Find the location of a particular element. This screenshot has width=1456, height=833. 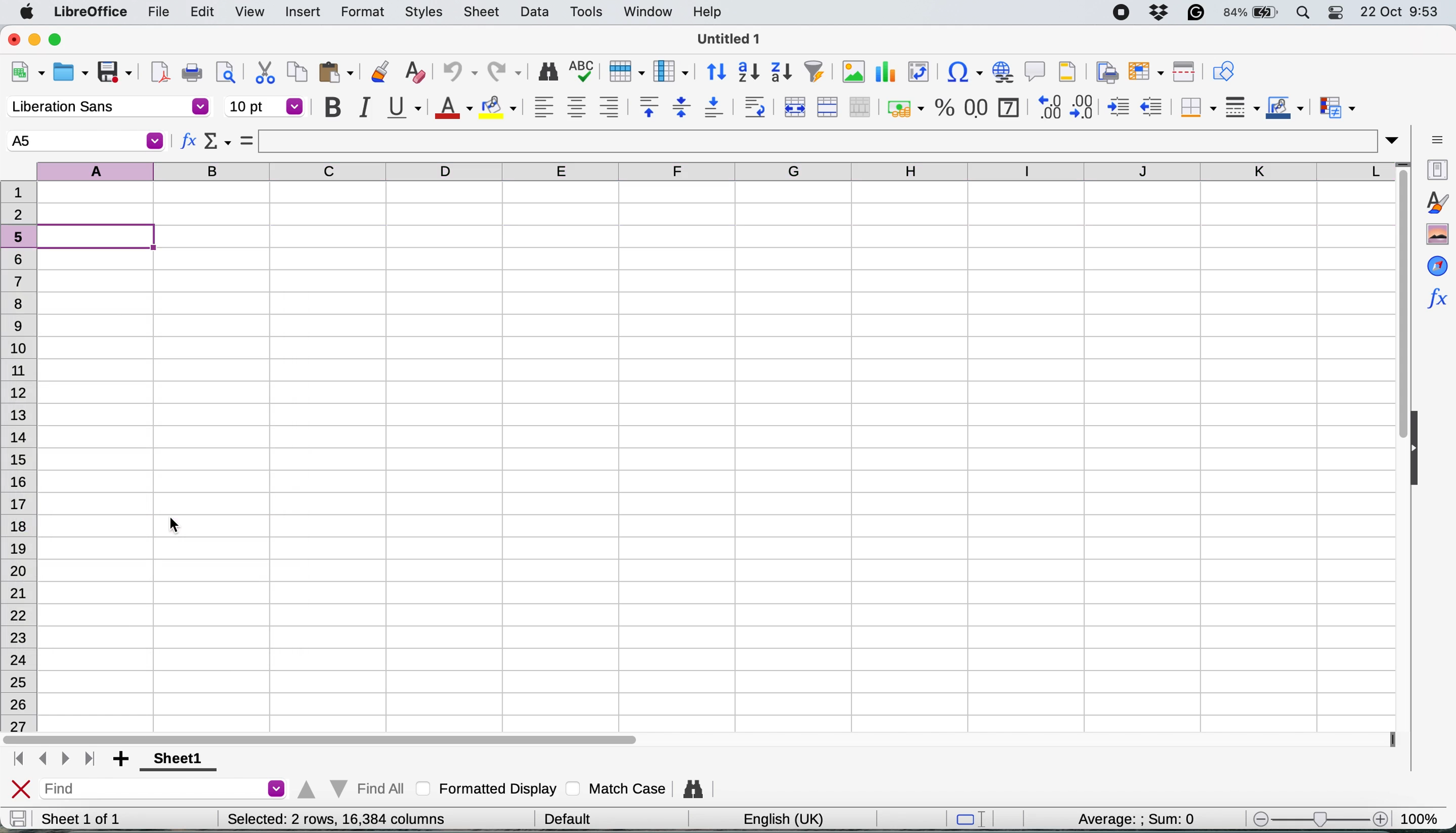

decrease indent is located at coordinates (1153, 106).